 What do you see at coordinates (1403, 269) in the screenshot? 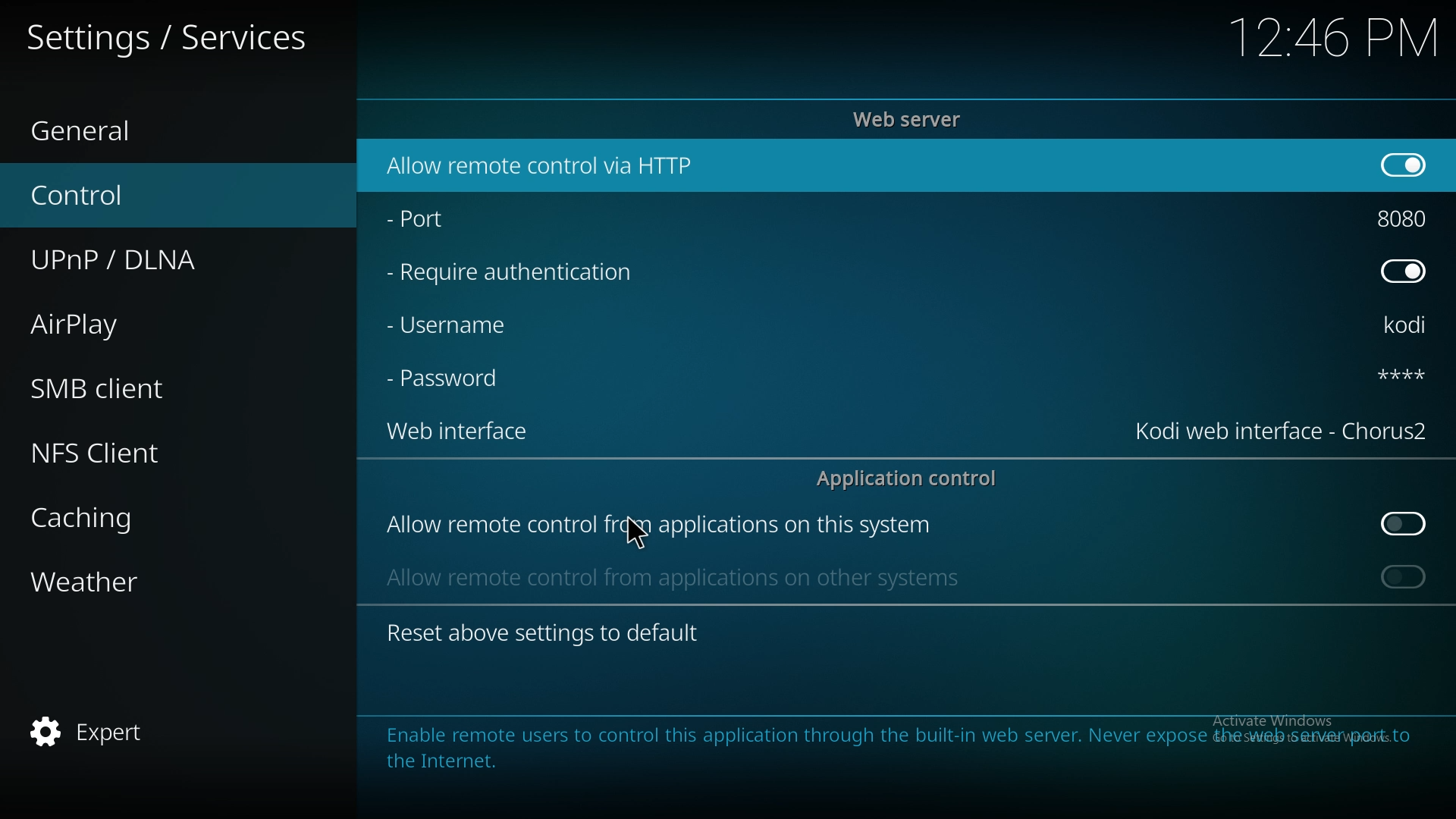
I see `off` at bounding box center [1403, 269].